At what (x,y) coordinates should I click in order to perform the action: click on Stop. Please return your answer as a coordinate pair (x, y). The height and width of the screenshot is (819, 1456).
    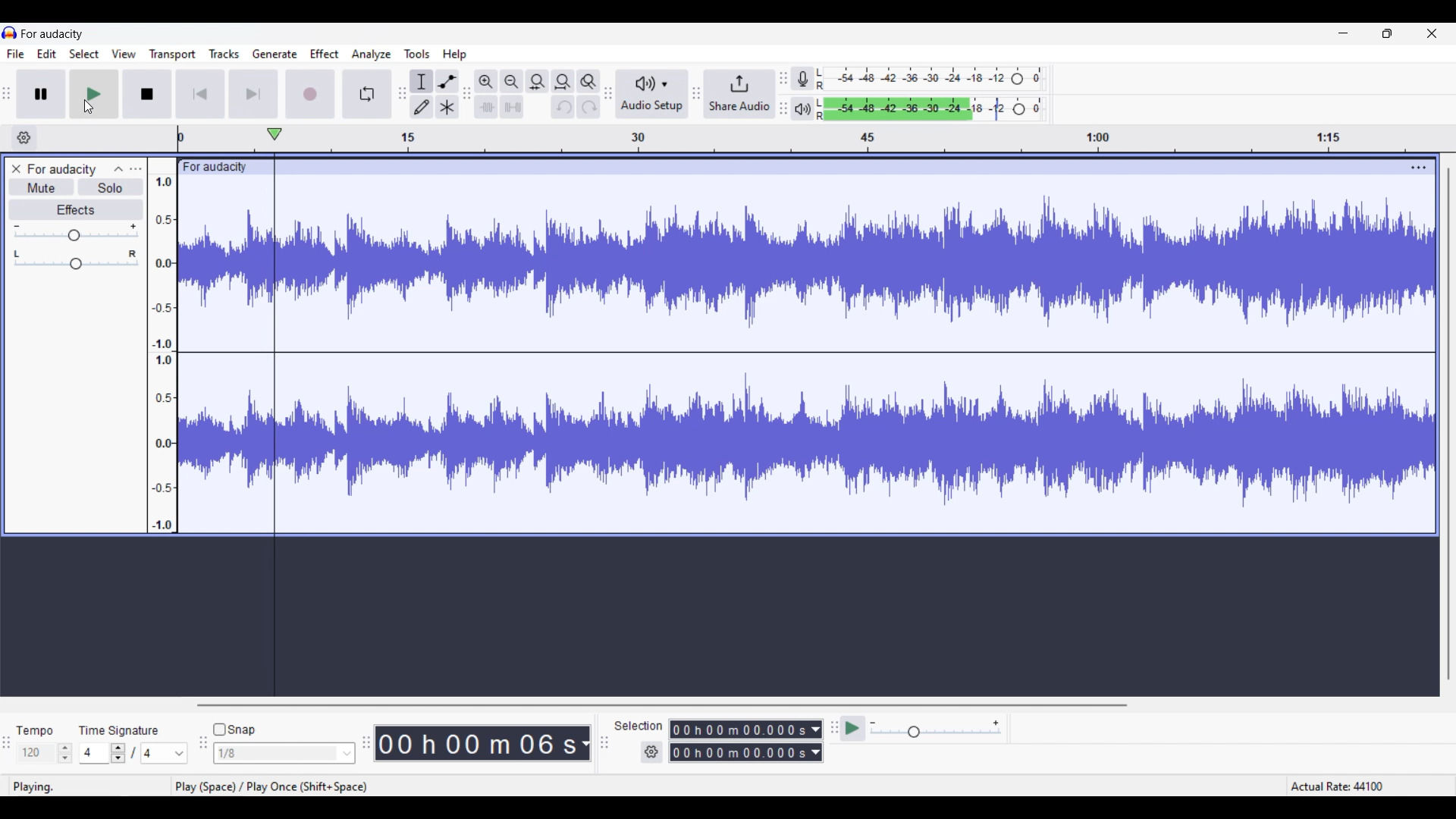
    Looking at the image, I should click on (147, 94).